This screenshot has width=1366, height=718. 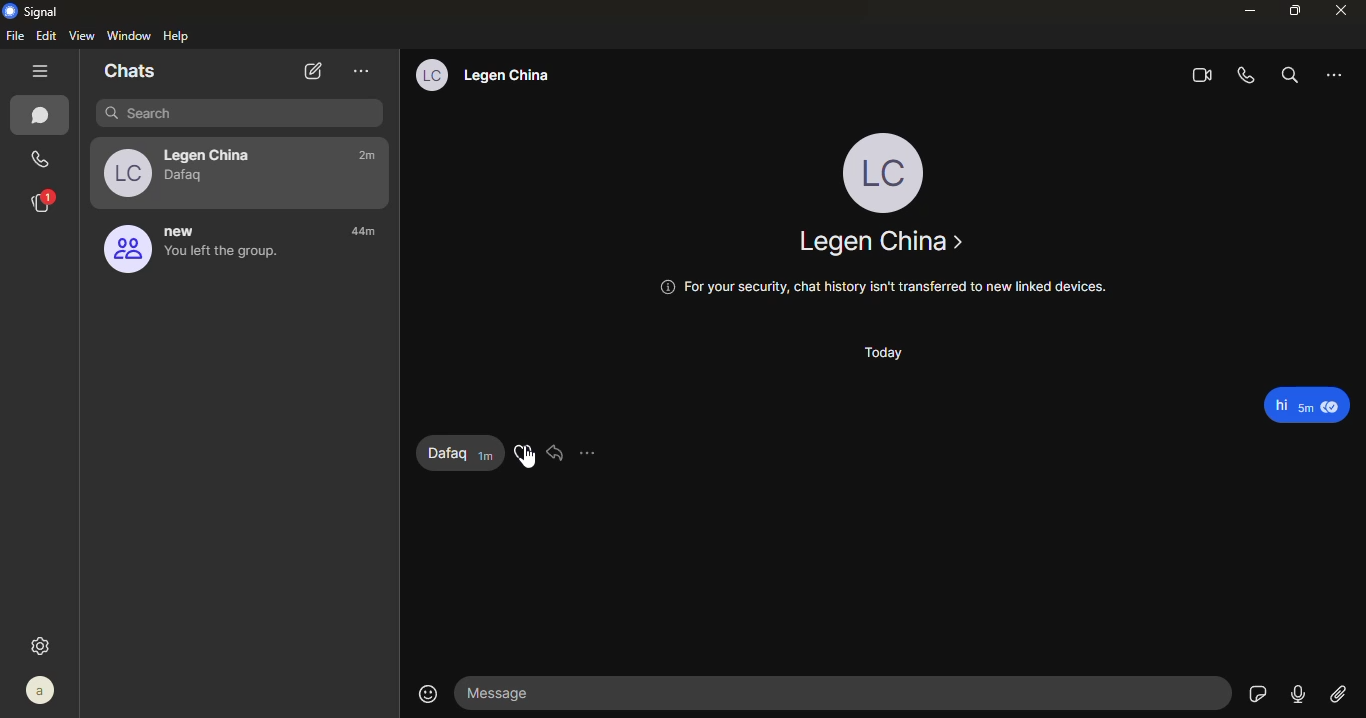 I want to click on chats, so click(x=130, y=71).